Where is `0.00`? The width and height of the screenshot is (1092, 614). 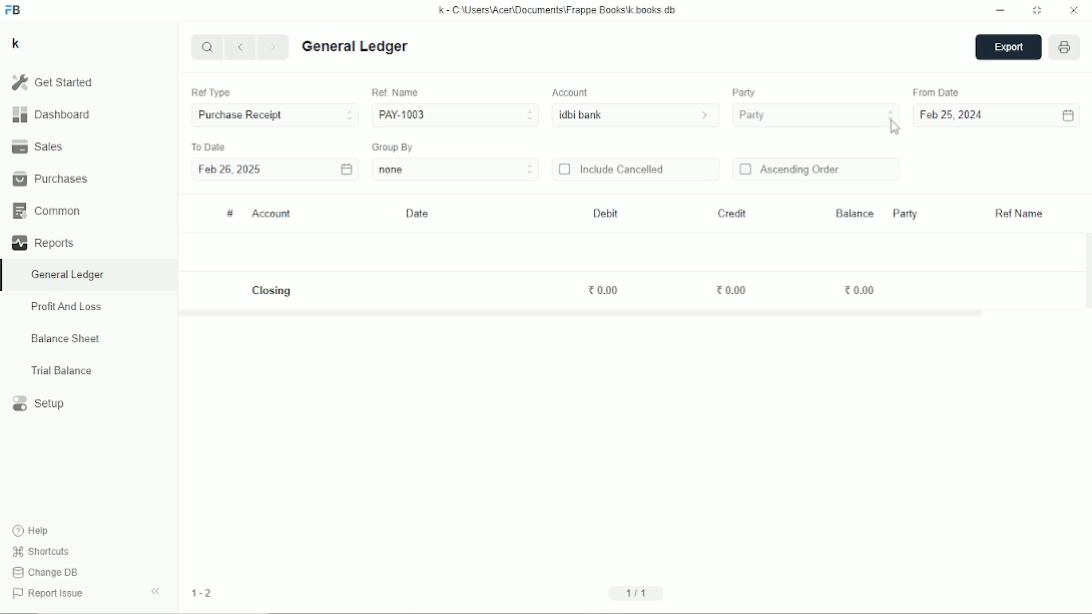 0.00 is located at coordinates (860, 289).